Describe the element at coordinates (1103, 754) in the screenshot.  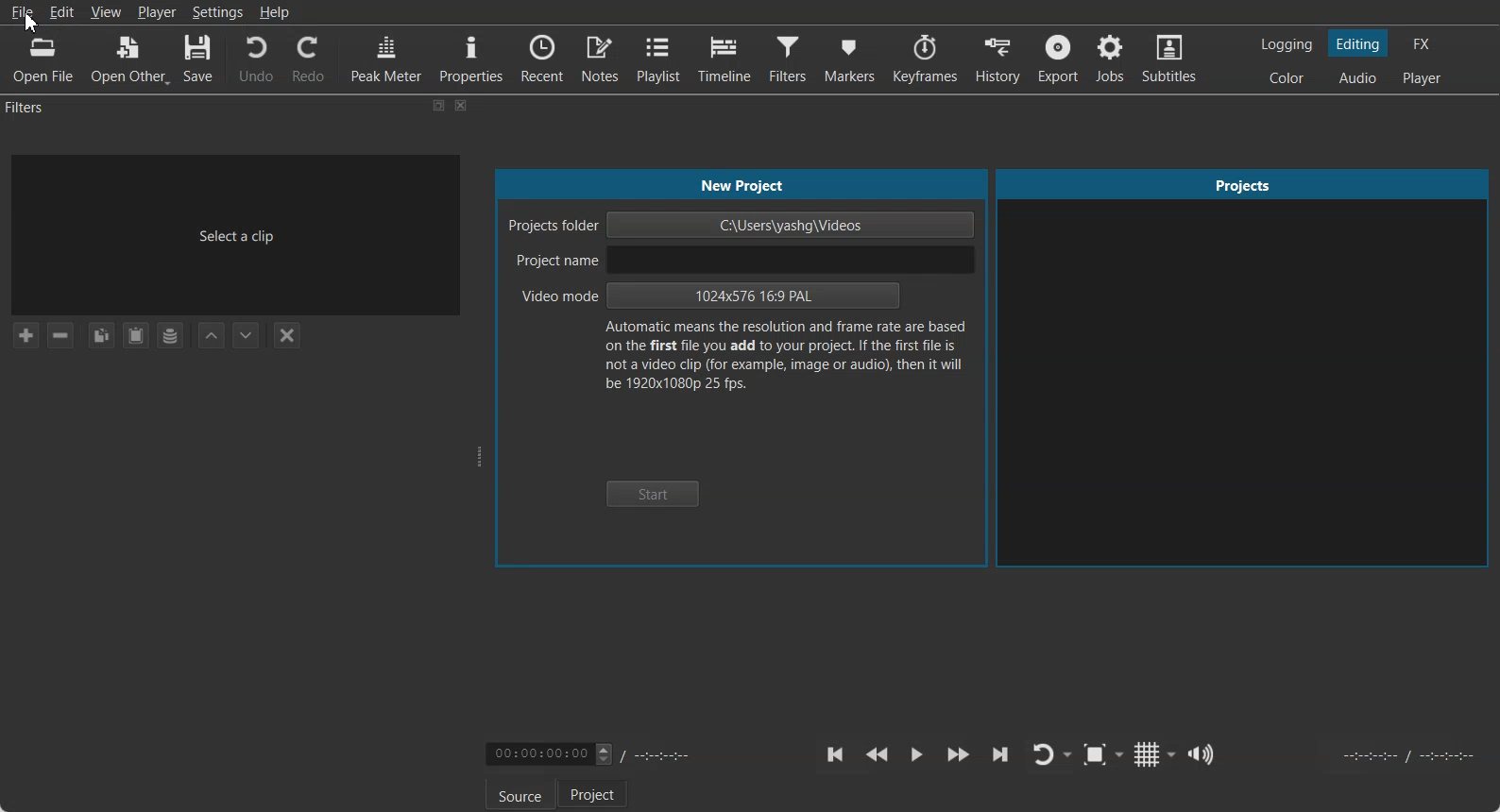
I see `Toggle zoom` at that location.